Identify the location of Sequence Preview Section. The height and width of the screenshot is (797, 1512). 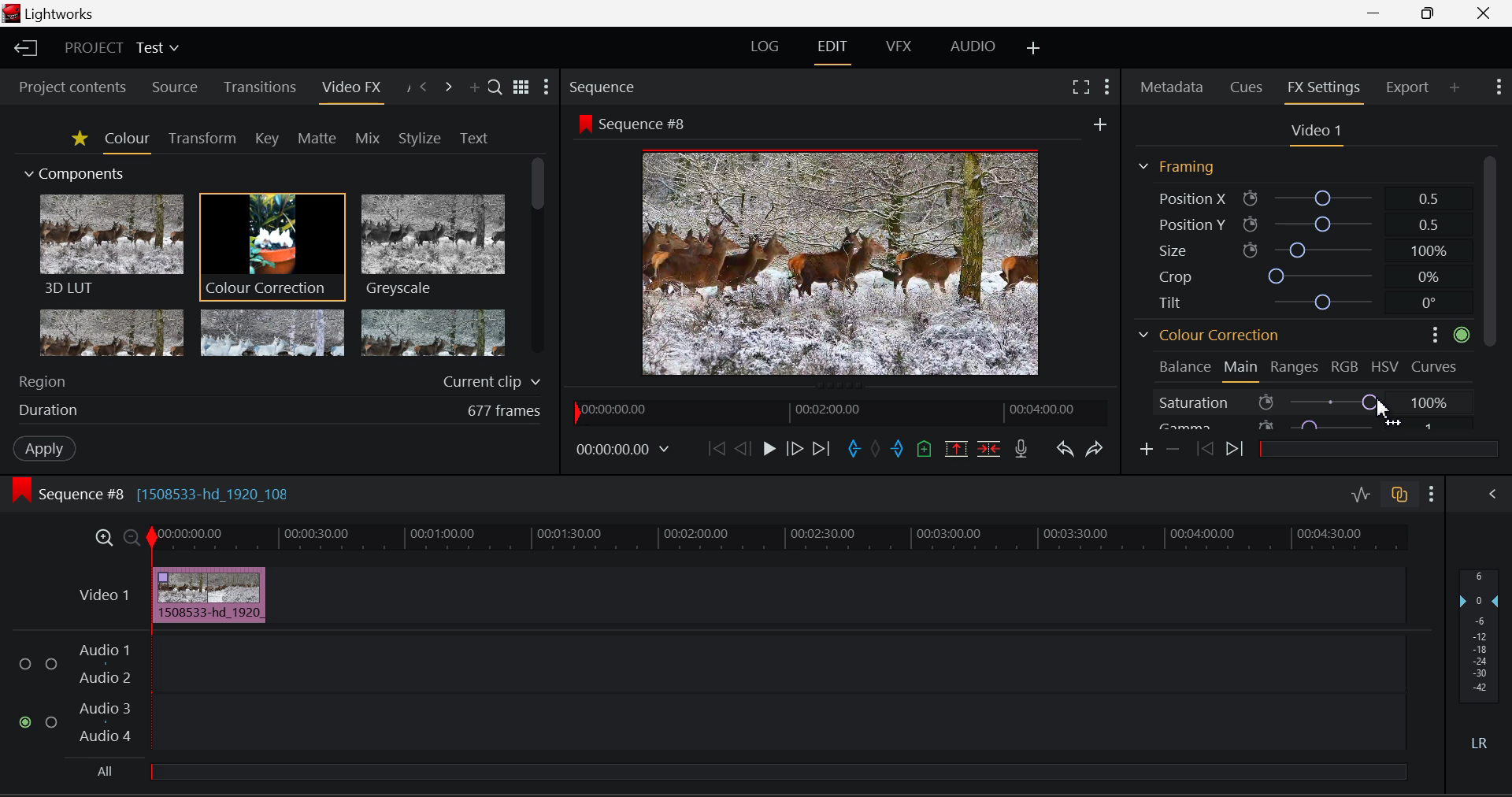
(606, 88).